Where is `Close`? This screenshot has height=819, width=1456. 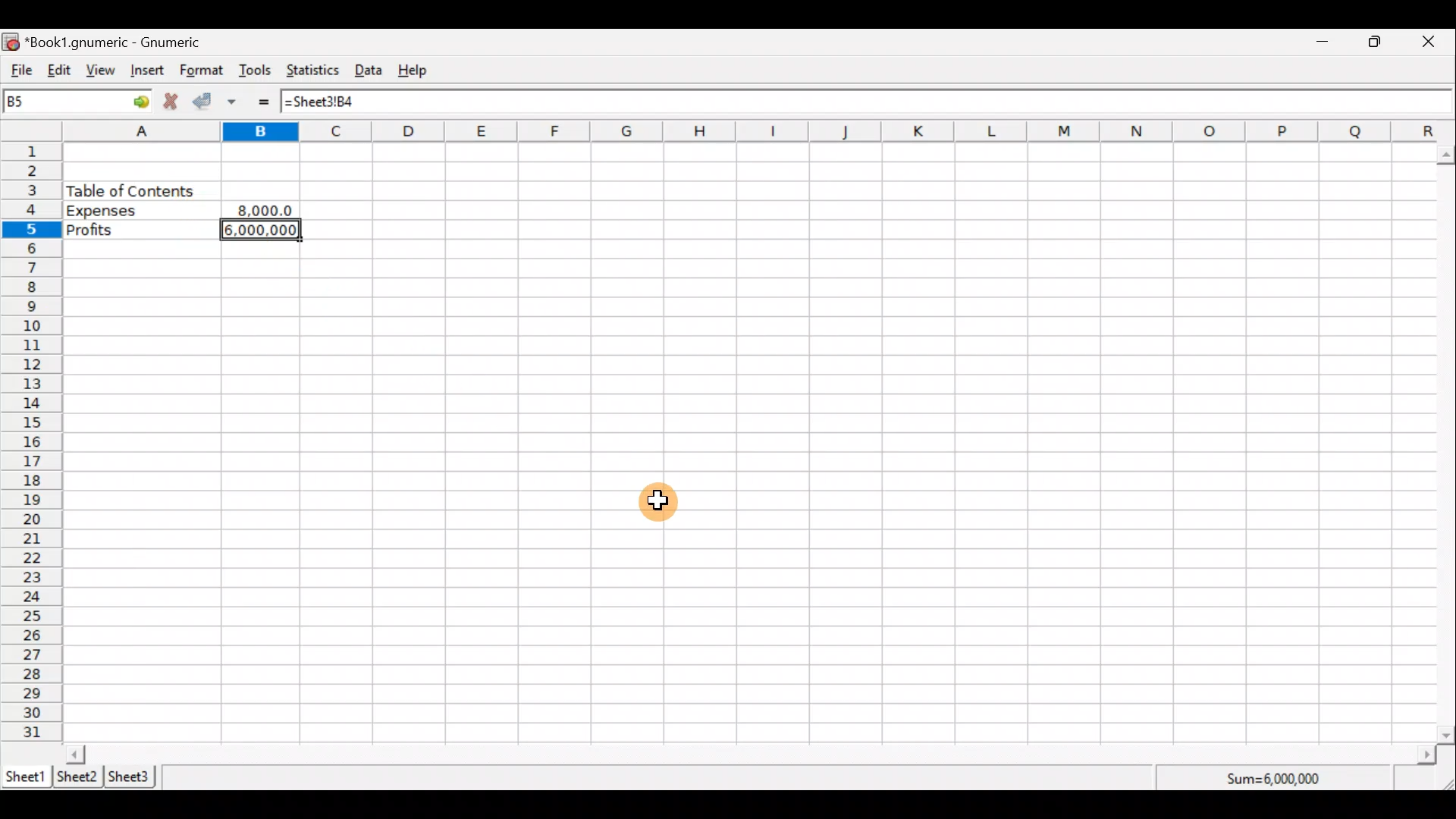
Close is located at coordinates (1435, 42).